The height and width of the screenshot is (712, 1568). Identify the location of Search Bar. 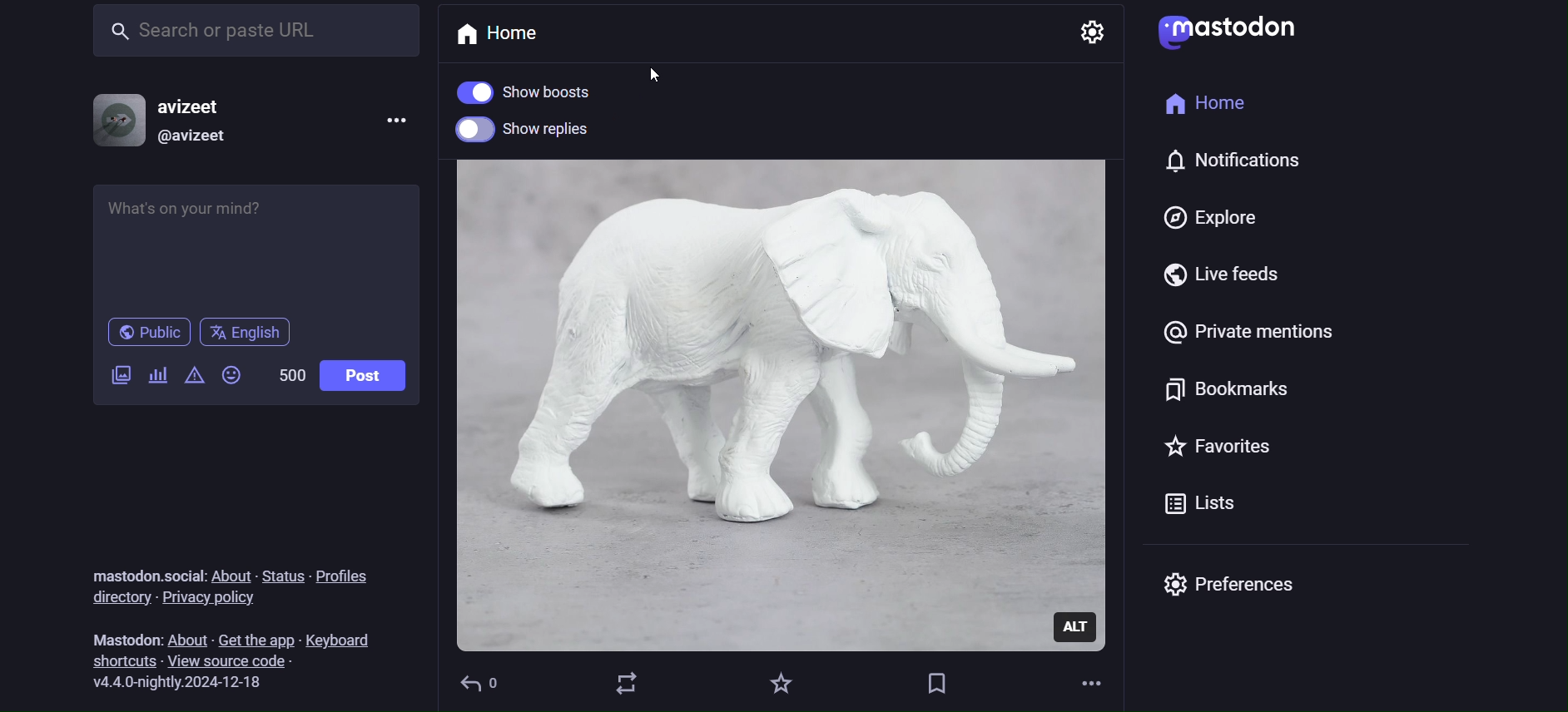
(254, 29).